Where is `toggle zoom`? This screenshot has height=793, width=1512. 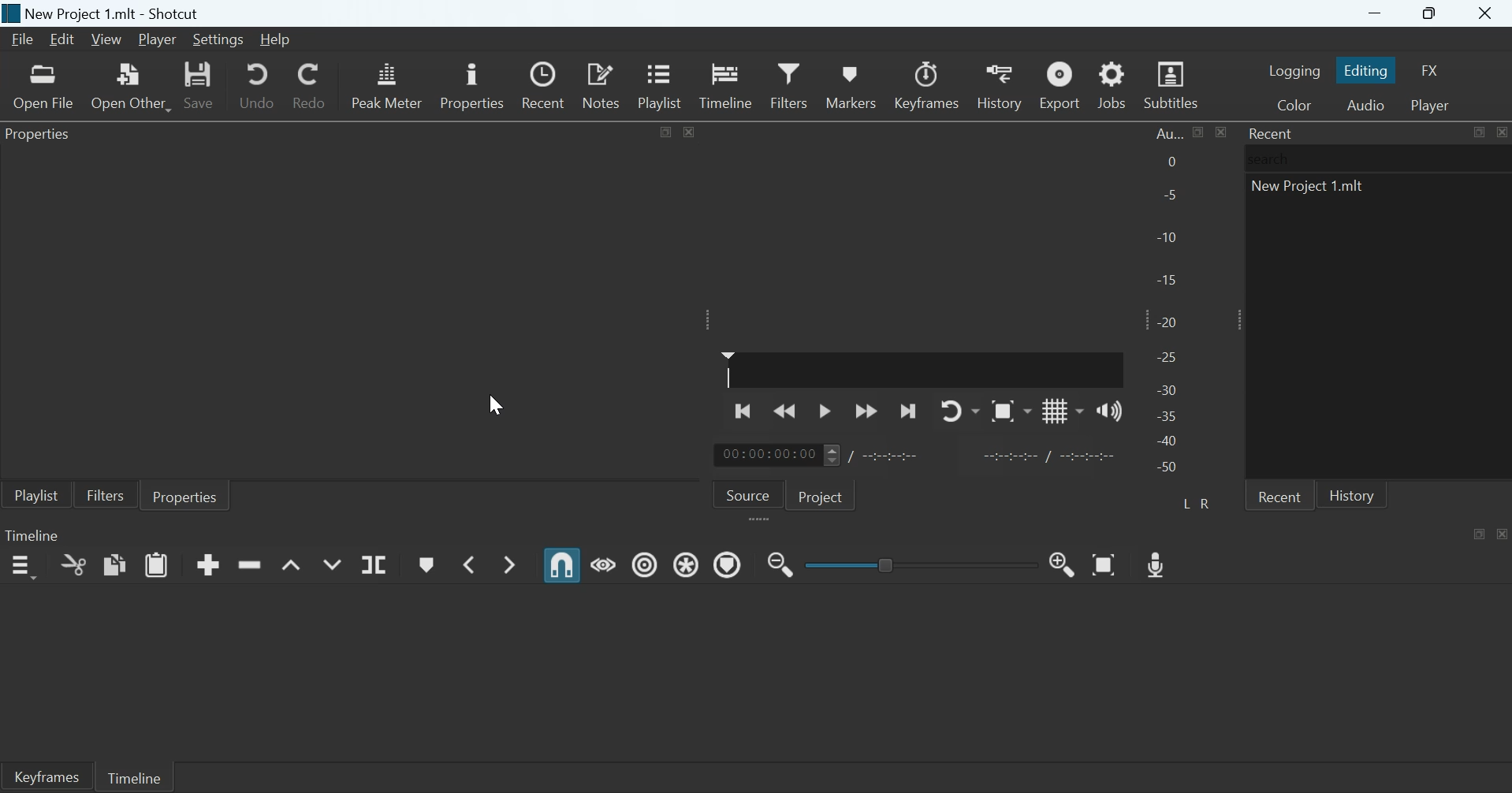
toggle zoom is located at coordinates (1011, 411).